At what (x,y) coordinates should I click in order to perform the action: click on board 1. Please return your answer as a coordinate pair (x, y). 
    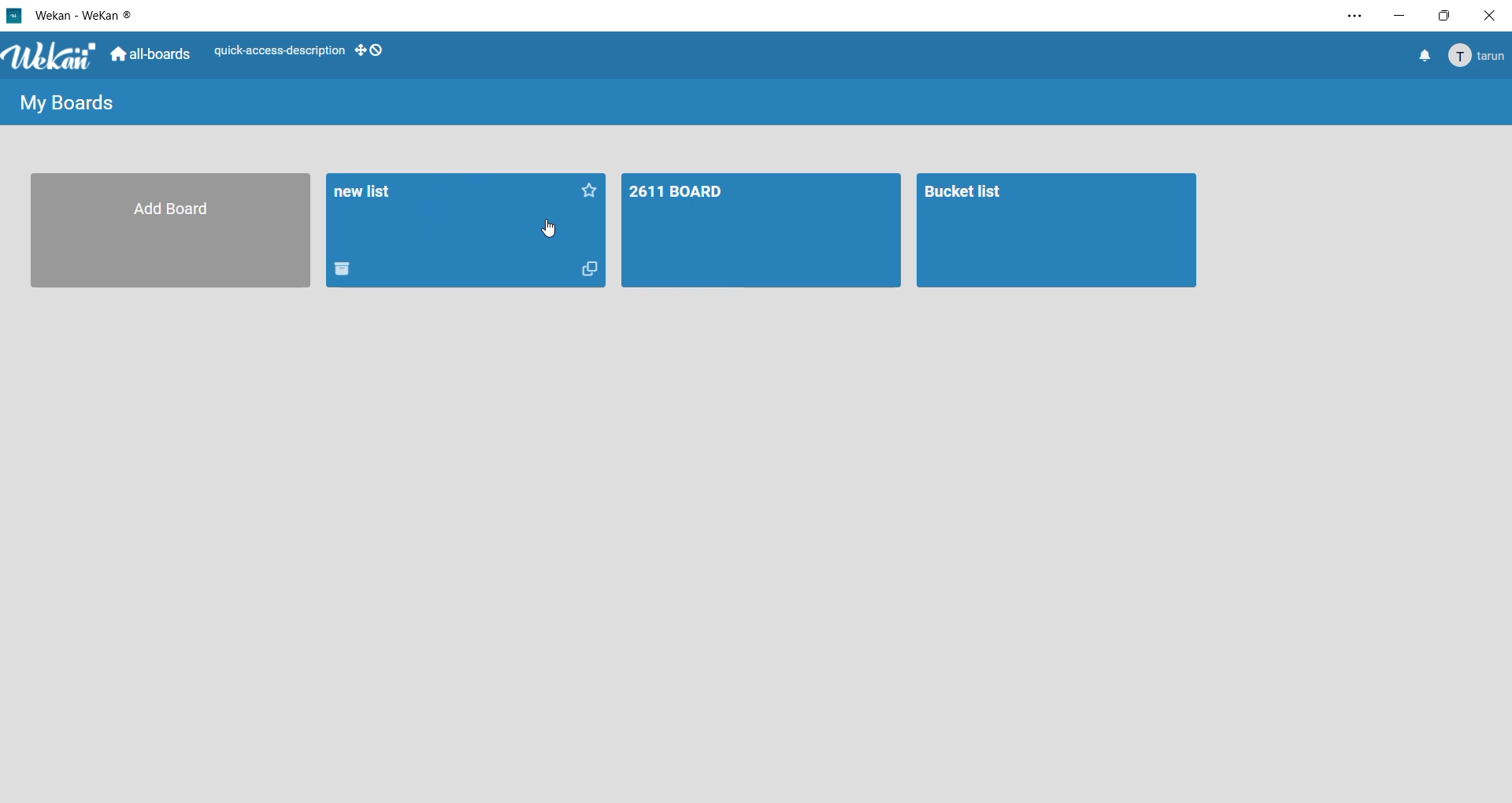
    Looking at the image, I should click on (761, 232).